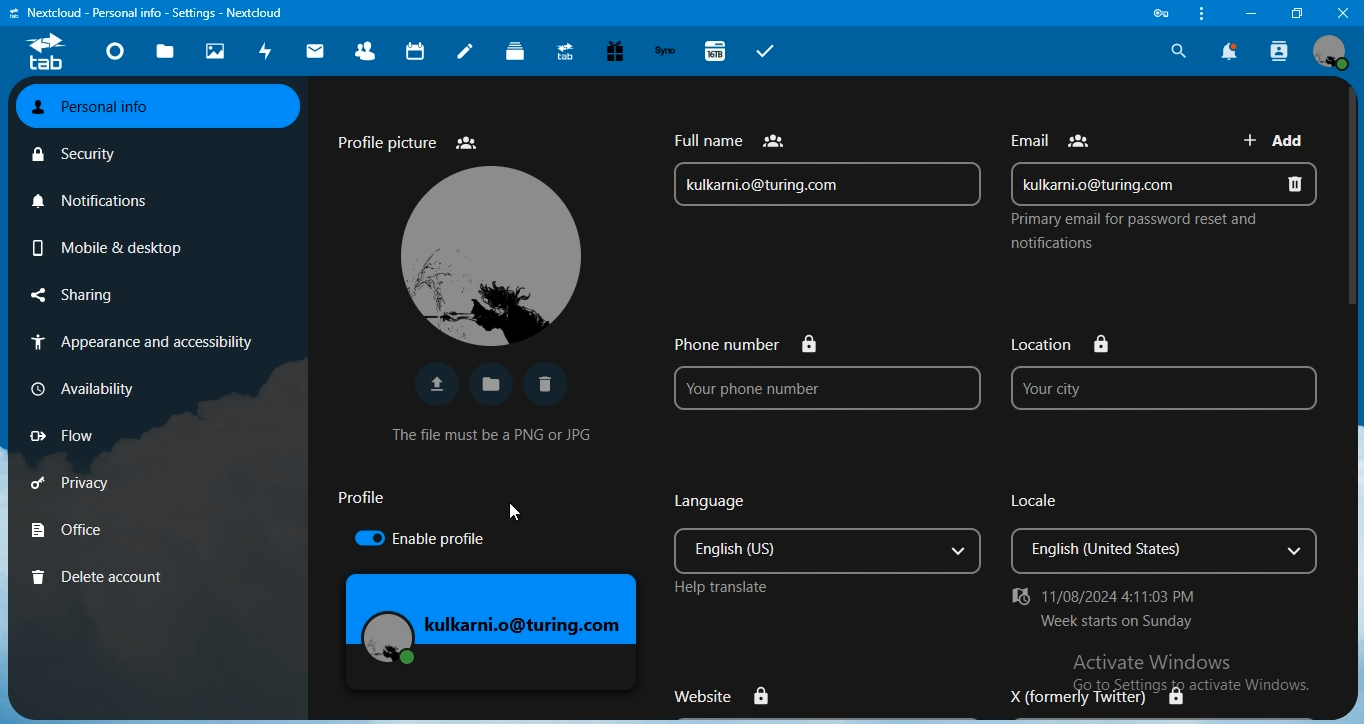 The image size is (1364, 724). Describe the element at coordinates (83, 386) in the screenshot. I see `availbility` at that location.